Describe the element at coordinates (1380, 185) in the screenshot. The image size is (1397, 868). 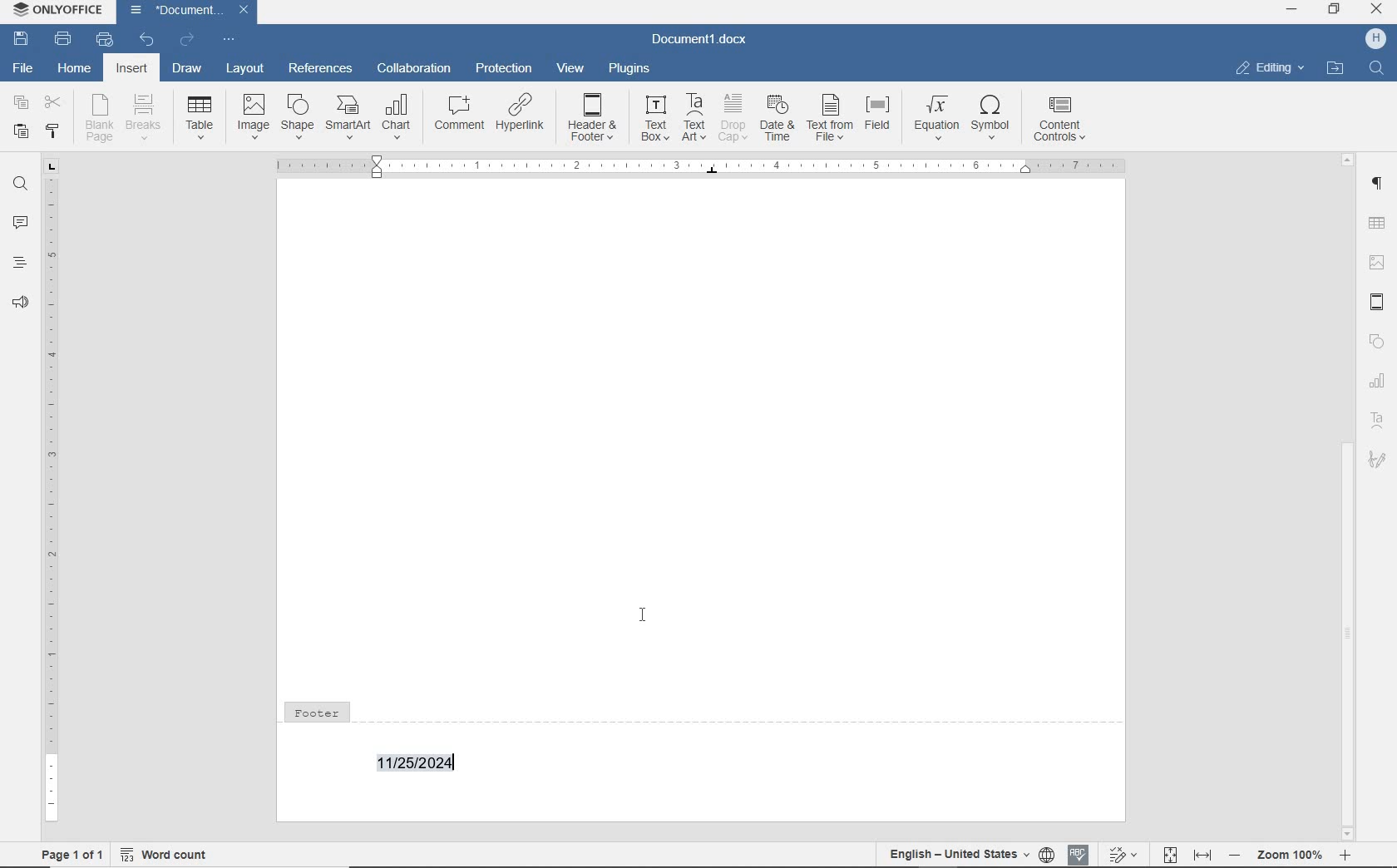
I see `paragraph settings` at that location.